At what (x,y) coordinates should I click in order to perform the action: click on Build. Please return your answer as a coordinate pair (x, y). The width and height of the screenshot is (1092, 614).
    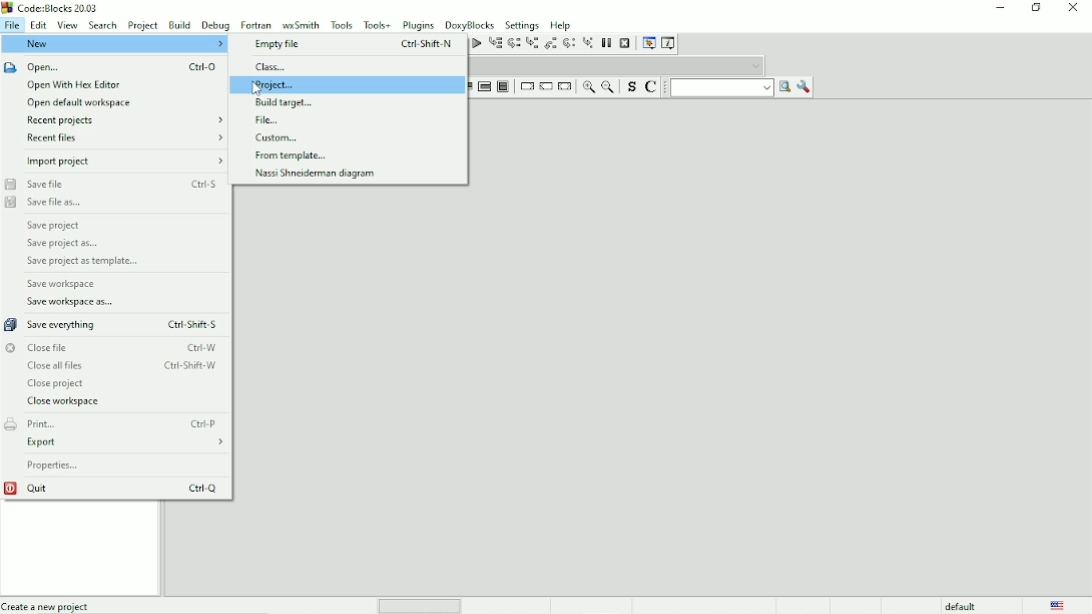
    Looking at the image, I should click on (179, 25).